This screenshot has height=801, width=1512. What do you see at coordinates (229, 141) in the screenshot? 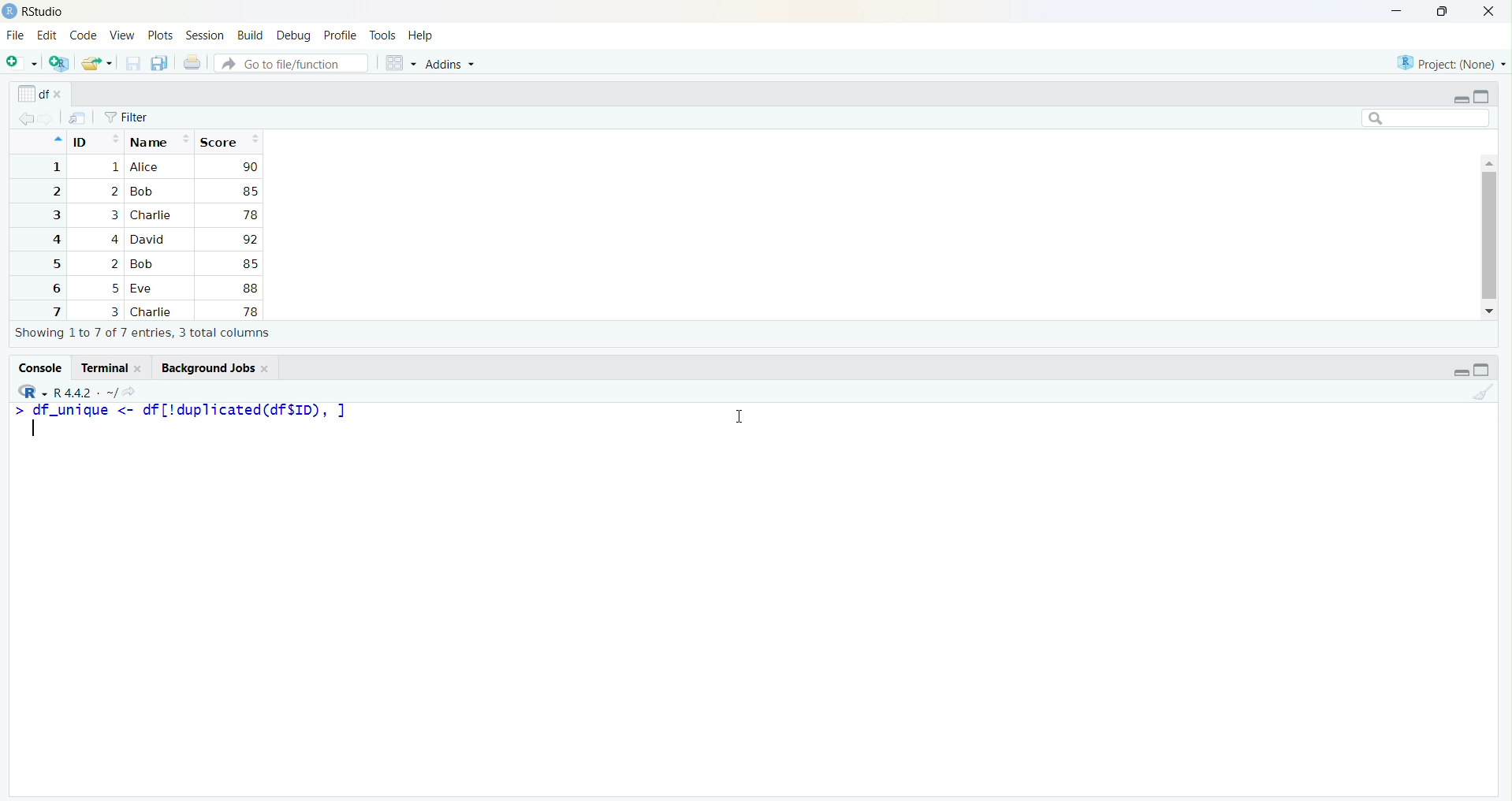
I see `score` at bounding box center [229, 141].